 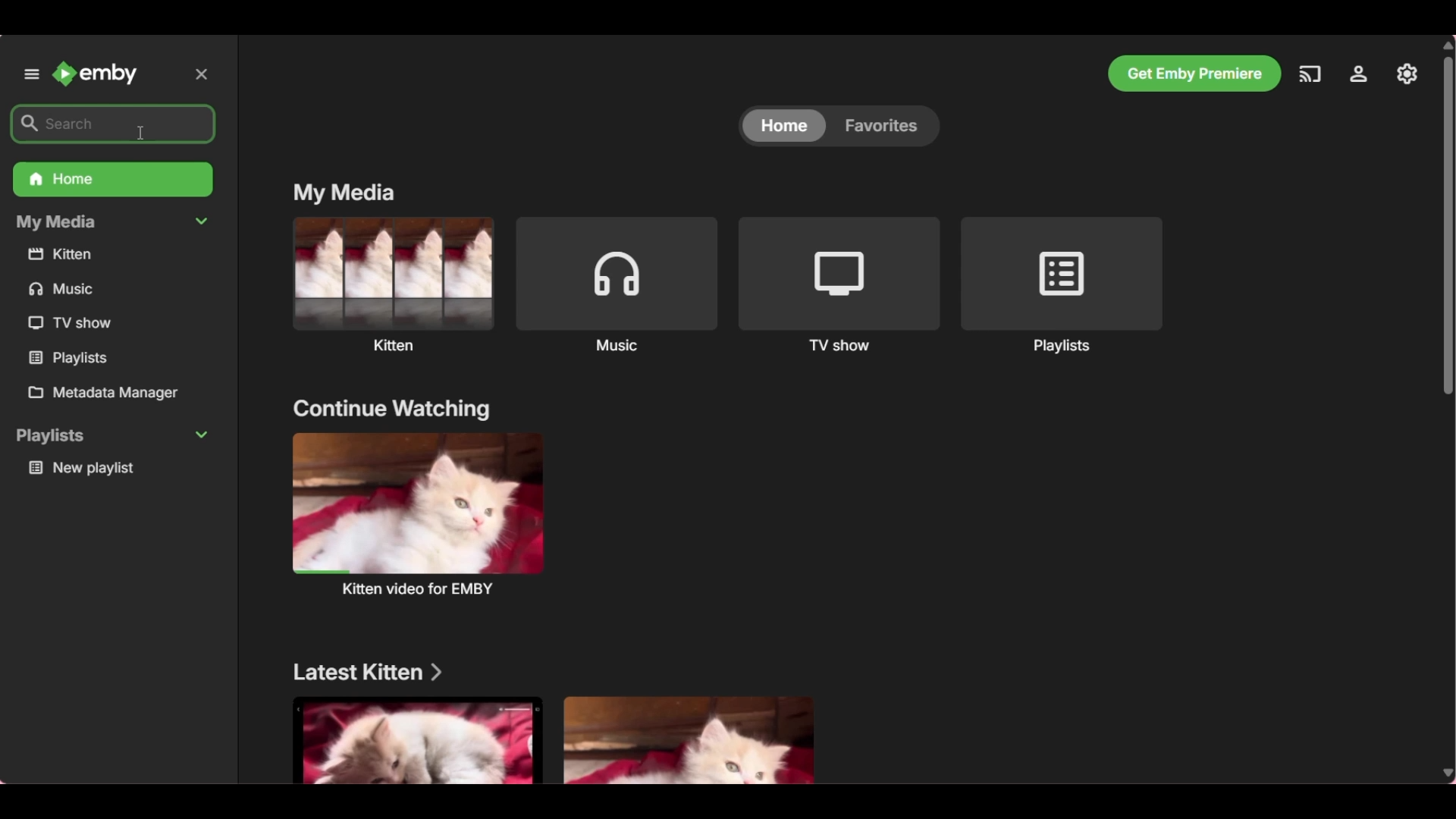 I want to click on TV shows, so click(x=838, y=284).